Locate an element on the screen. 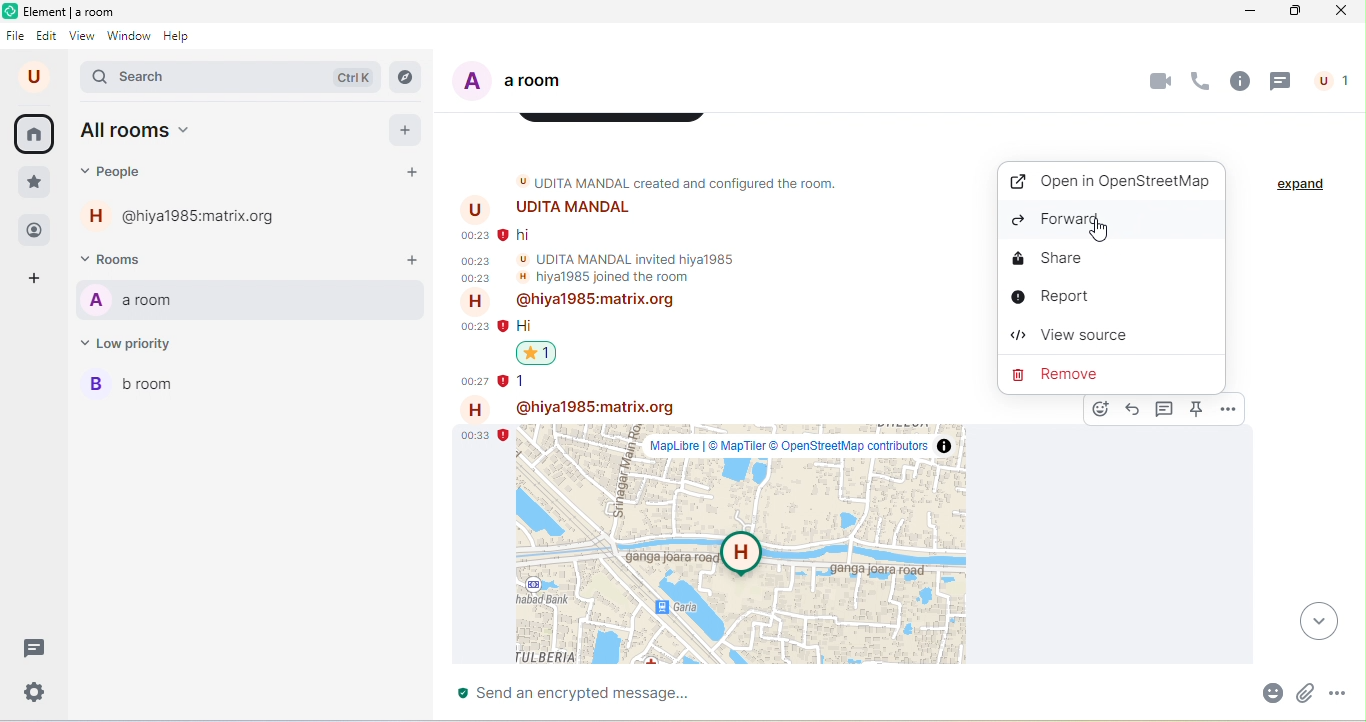 This screenshot has width=1366, height=722. thread is located at coordinates (1281, 82).